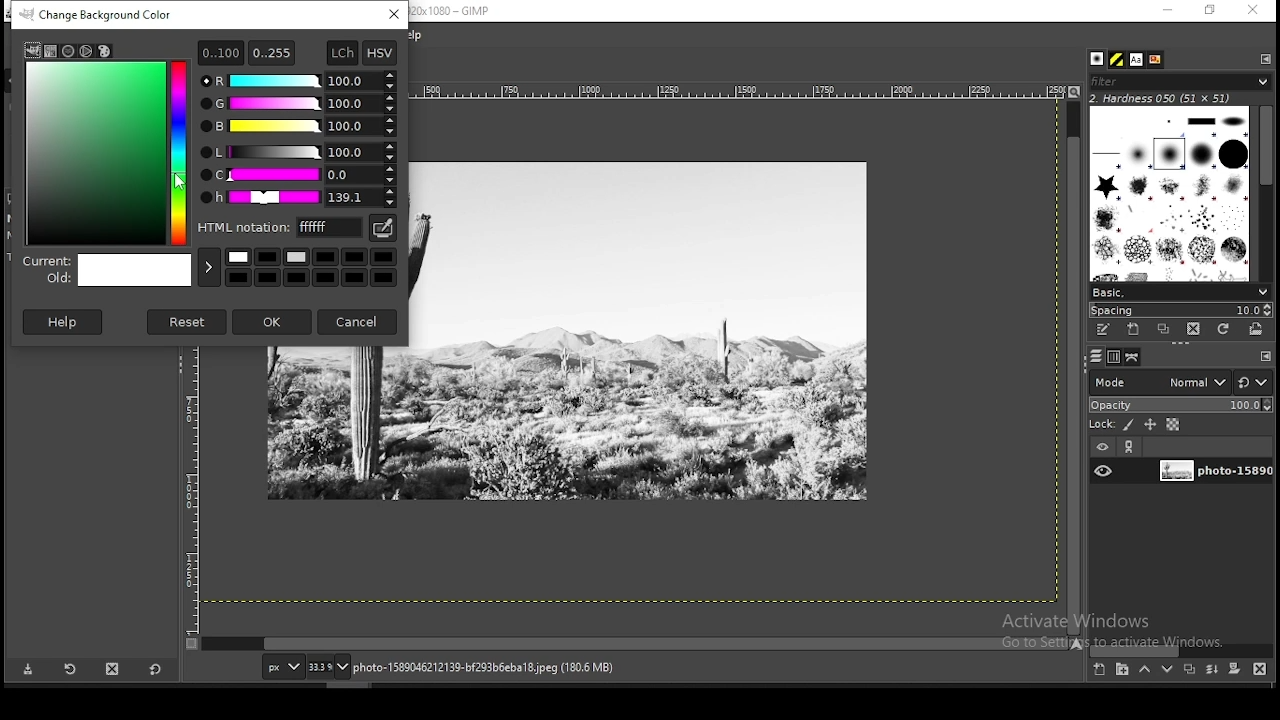 The width and height of the screenshot is (1280, 720). Describe the element at coordinates (380, 53) in the screenshot. I see `hsv` at that location.